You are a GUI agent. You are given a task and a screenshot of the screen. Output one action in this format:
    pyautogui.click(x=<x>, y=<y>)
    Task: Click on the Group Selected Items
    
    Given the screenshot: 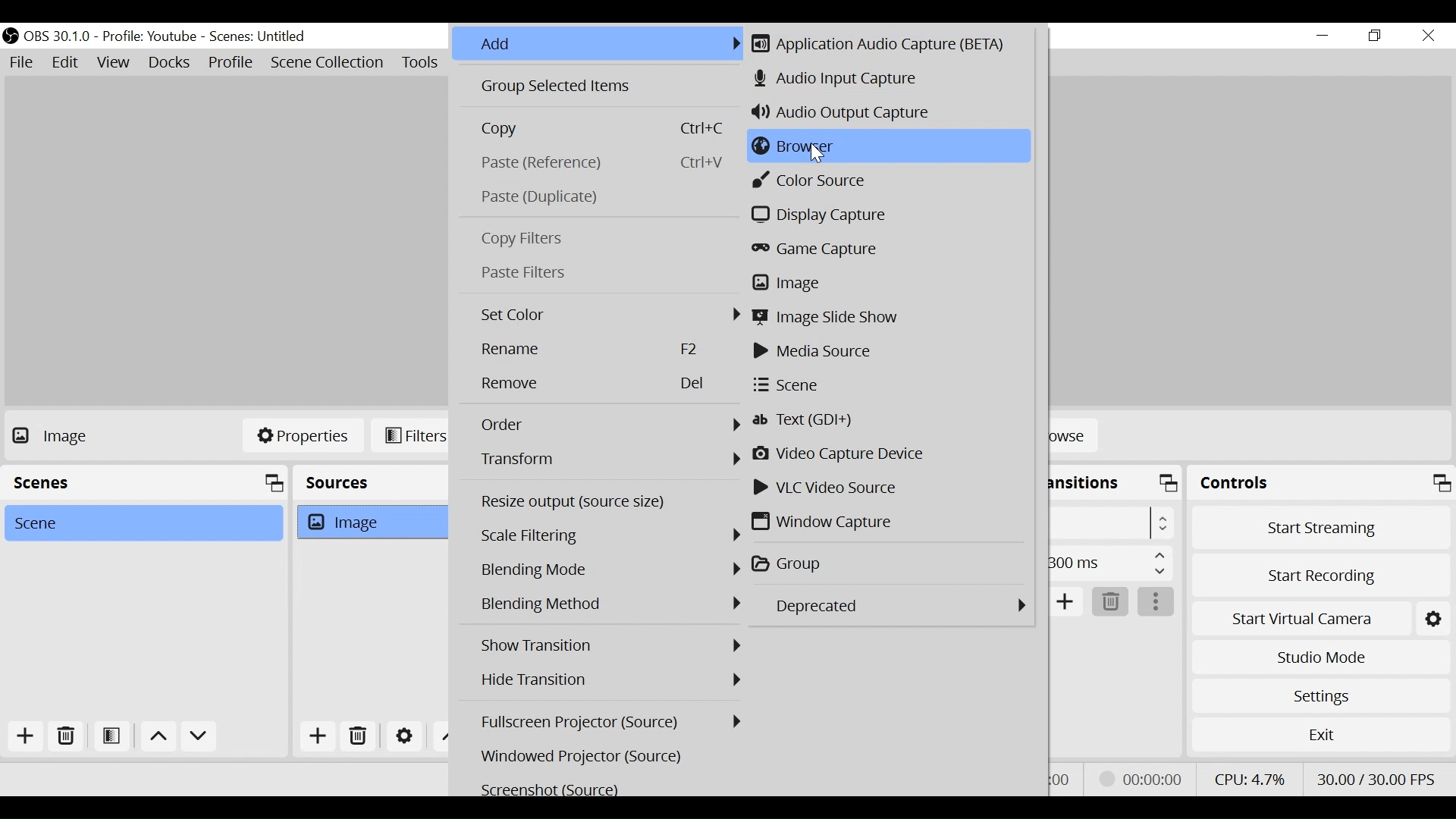 What is the action you would take?
    pyautogui.click(x=606, y=86)
    